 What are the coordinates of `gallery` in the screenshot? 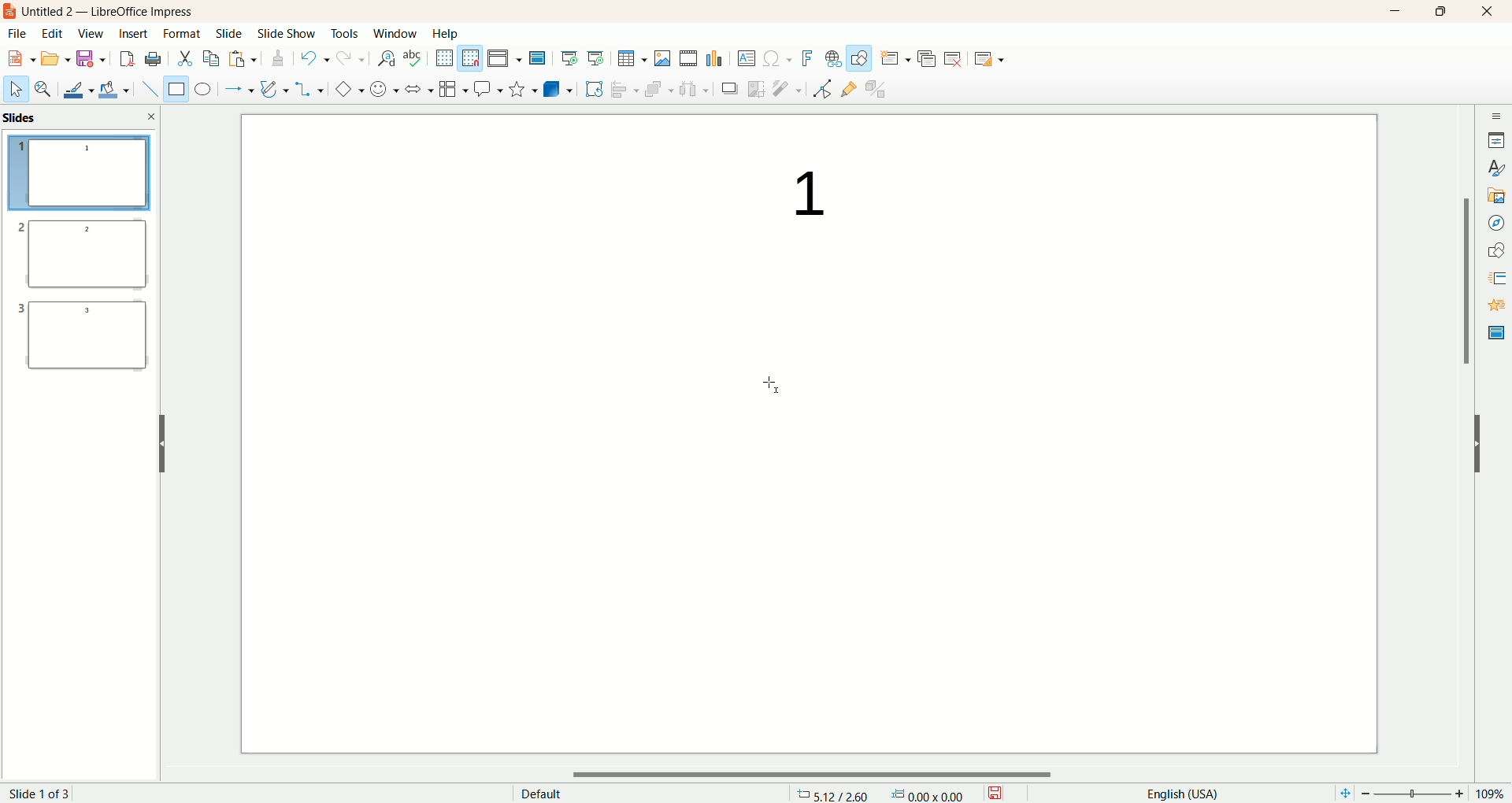 It's located at (1496, 195).